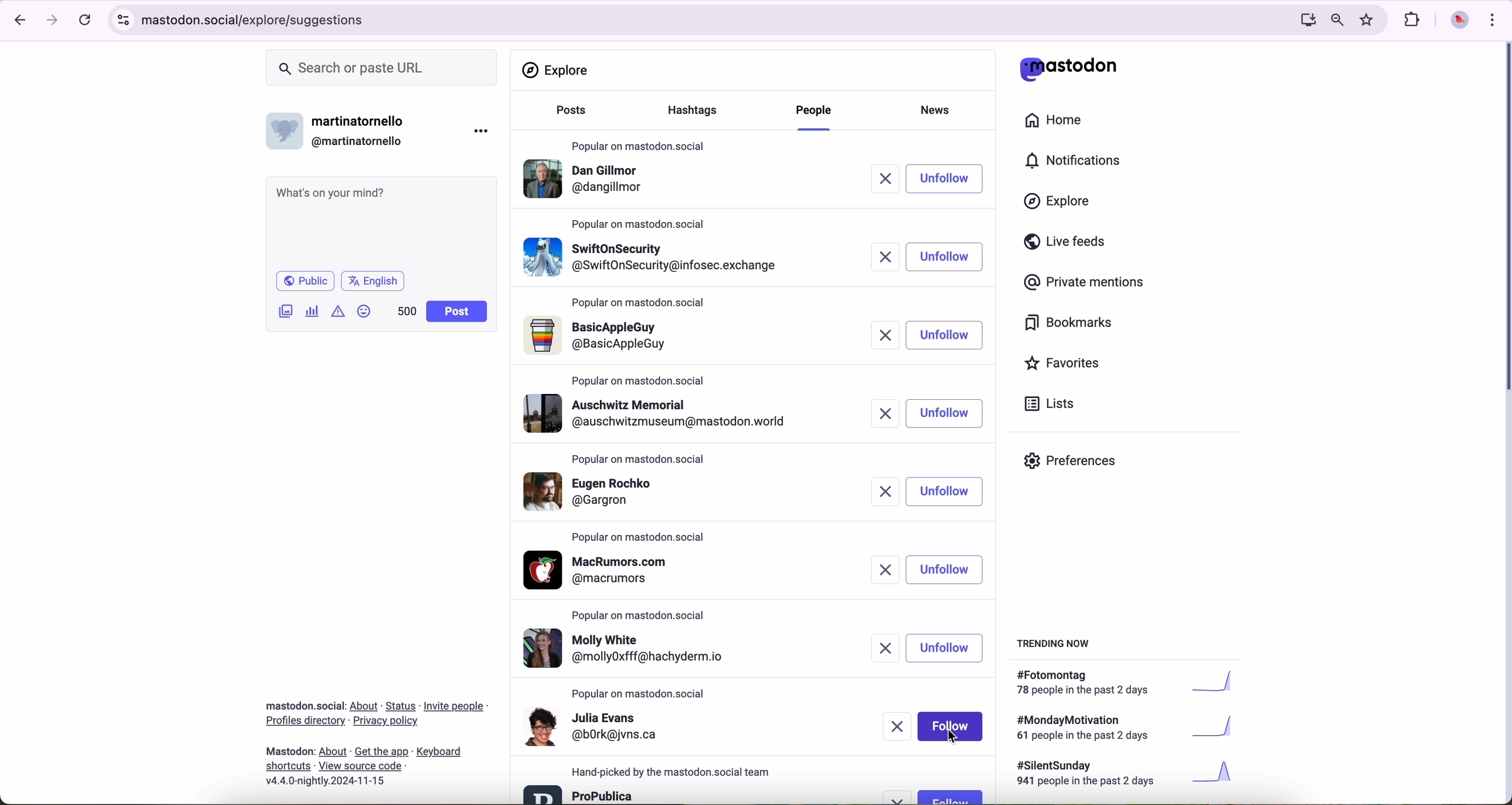  I want to click on unfollow, so click(946, 335).